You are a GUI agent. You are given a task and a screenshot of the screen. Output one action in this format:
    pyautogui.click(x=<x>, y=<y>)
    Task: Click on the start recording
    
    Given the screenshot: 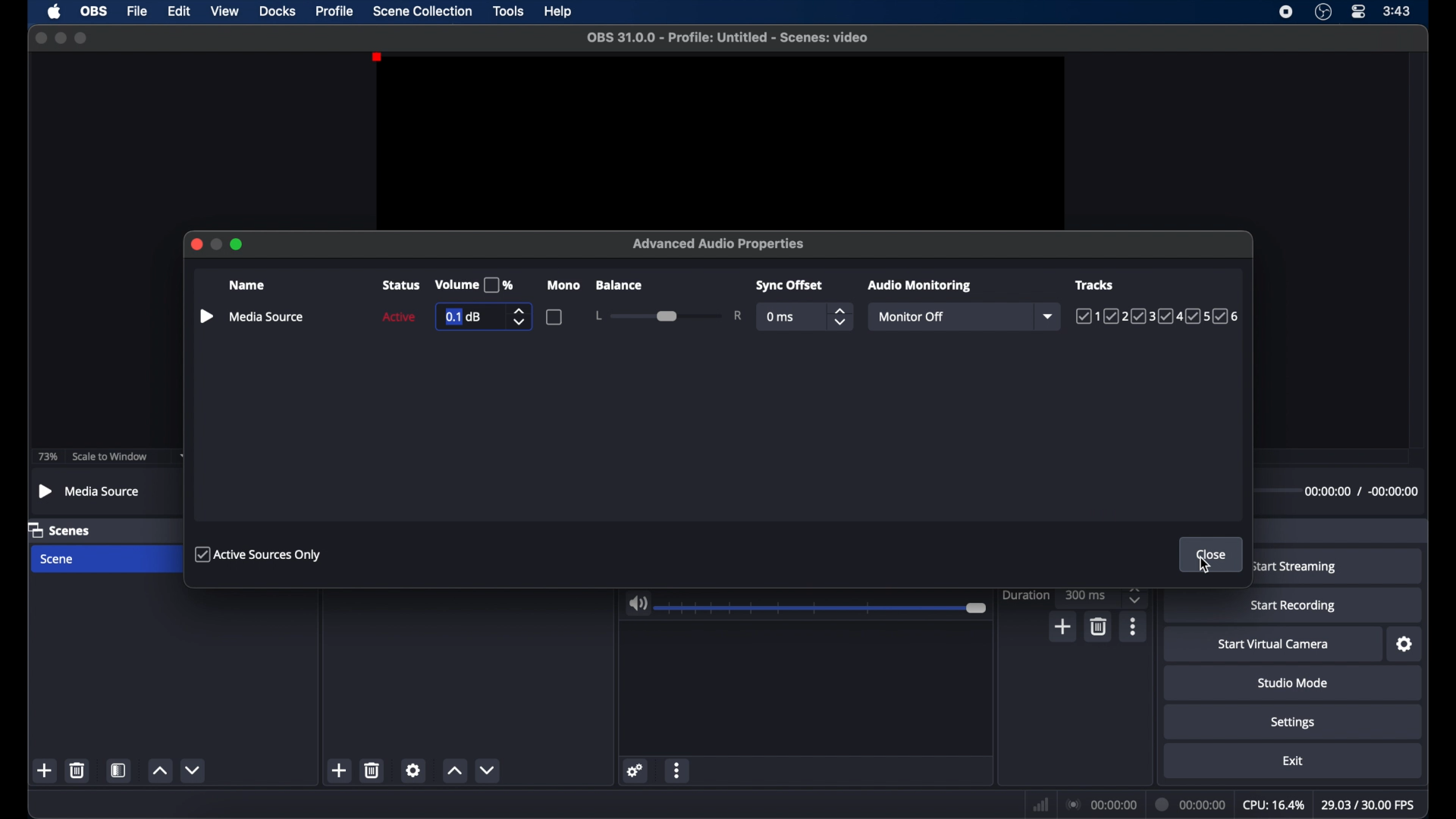 What is the action you would take?
    pyautogui.click(x=1293, y=606)
    